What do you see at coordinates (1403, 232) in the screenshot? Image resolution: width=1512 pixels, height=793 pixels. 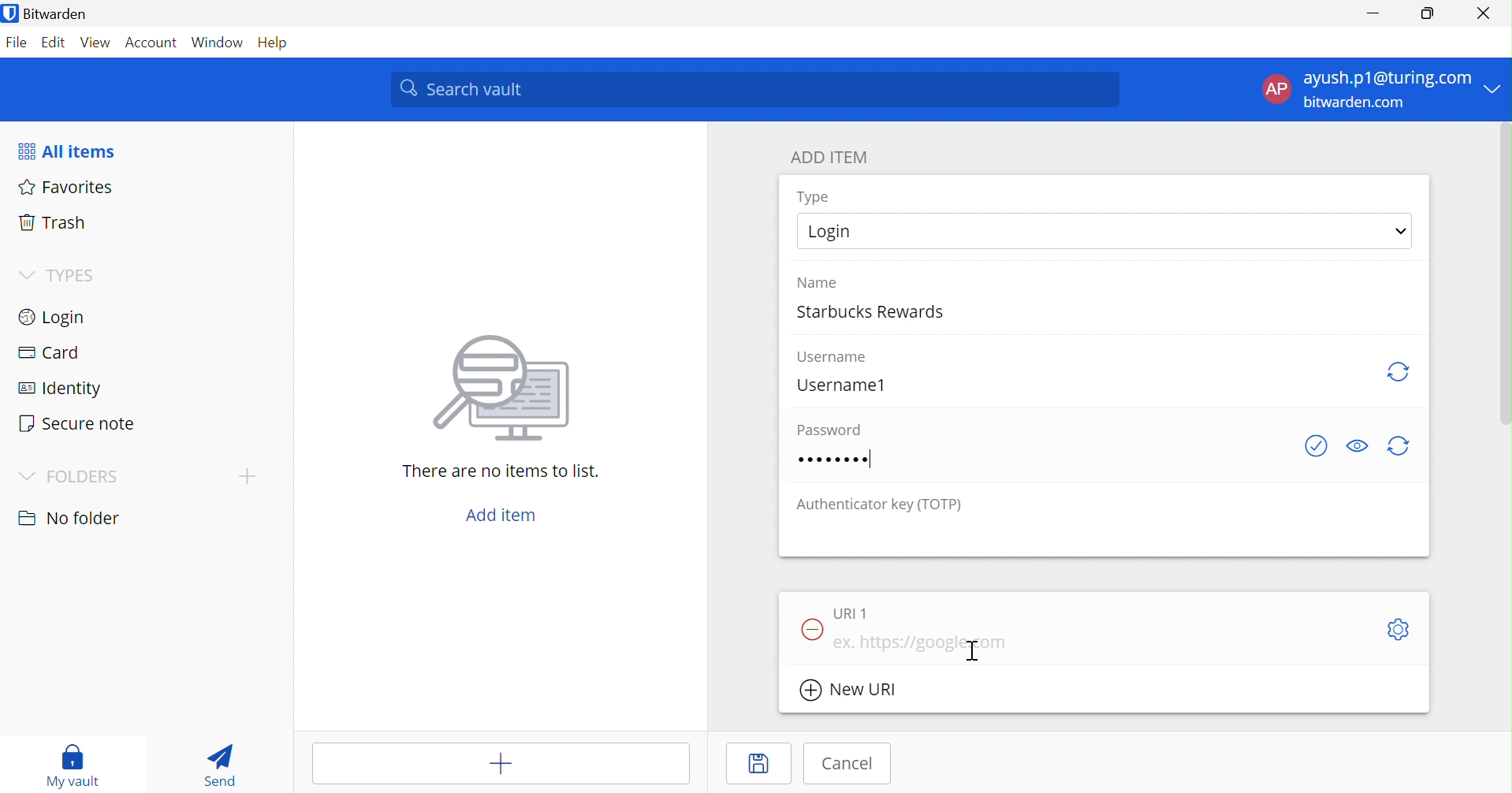 I see `Drop Down` at bounding box center [1403, 232].